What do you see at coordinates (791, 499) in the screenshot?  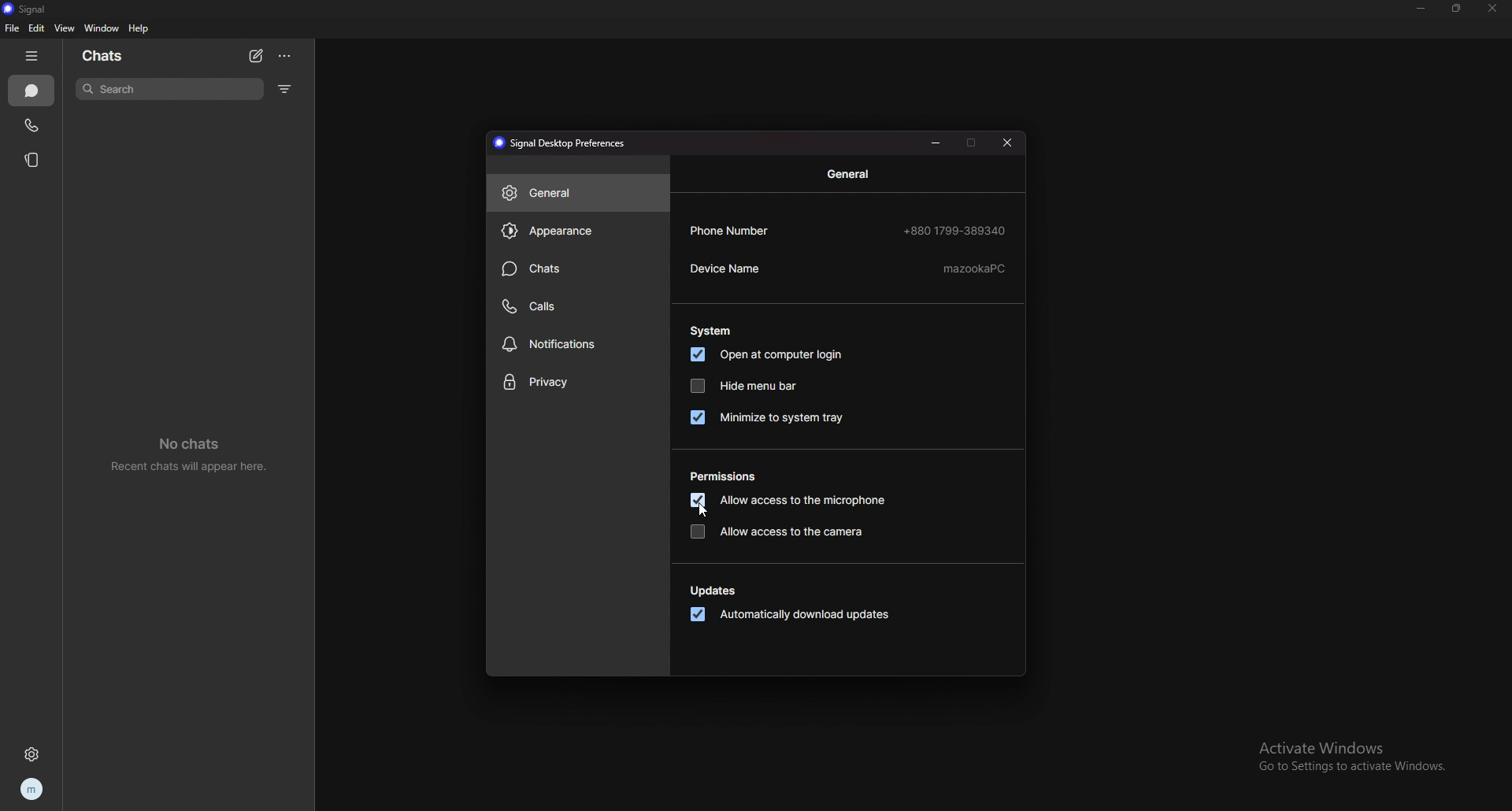 I see `allow access to microphone` at bounding box center [791, 499].